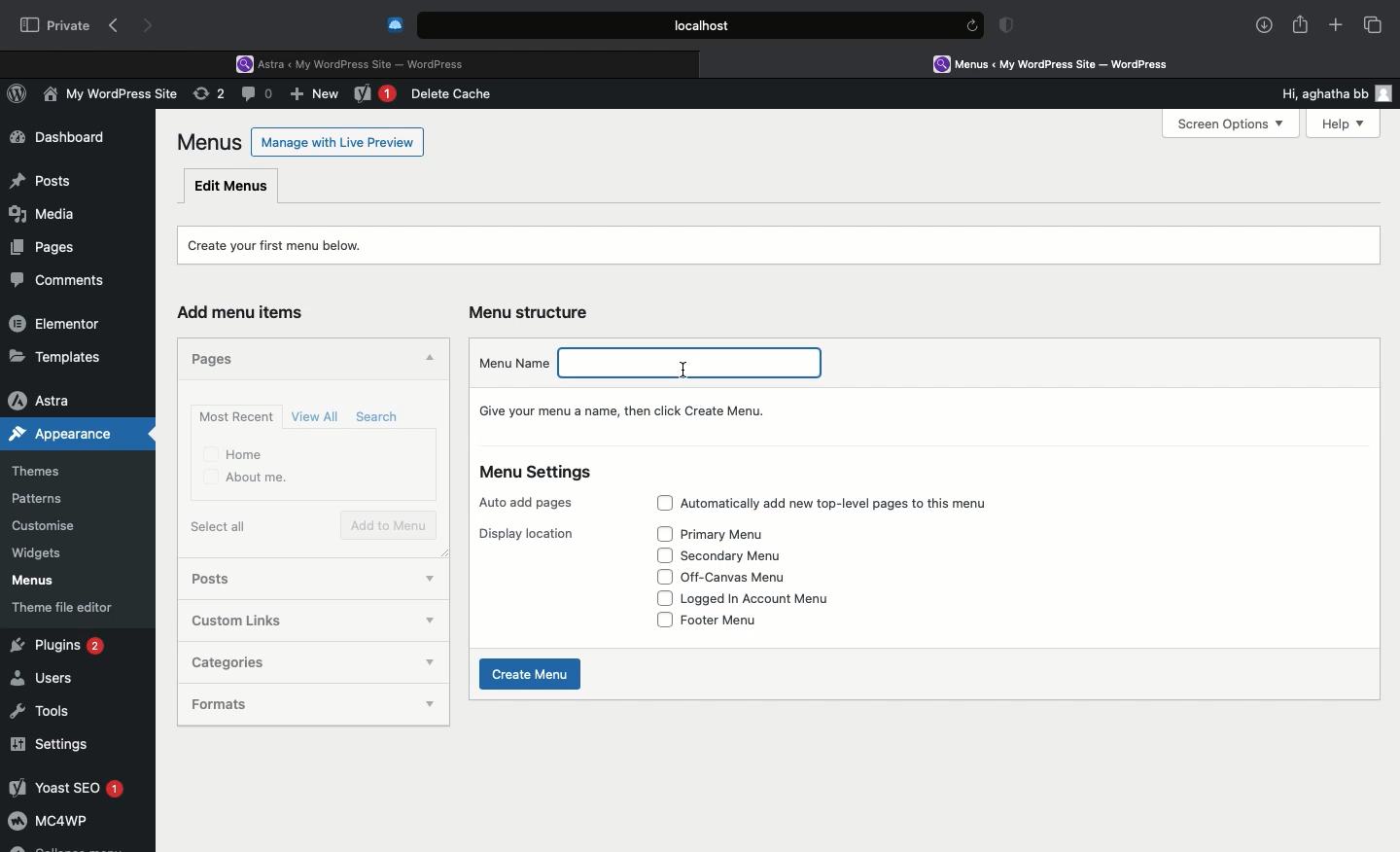 This screenshot has width=1400, height=852. Describe the element at coordinates (430, 621) in the screenshot. I see `show` at that location.